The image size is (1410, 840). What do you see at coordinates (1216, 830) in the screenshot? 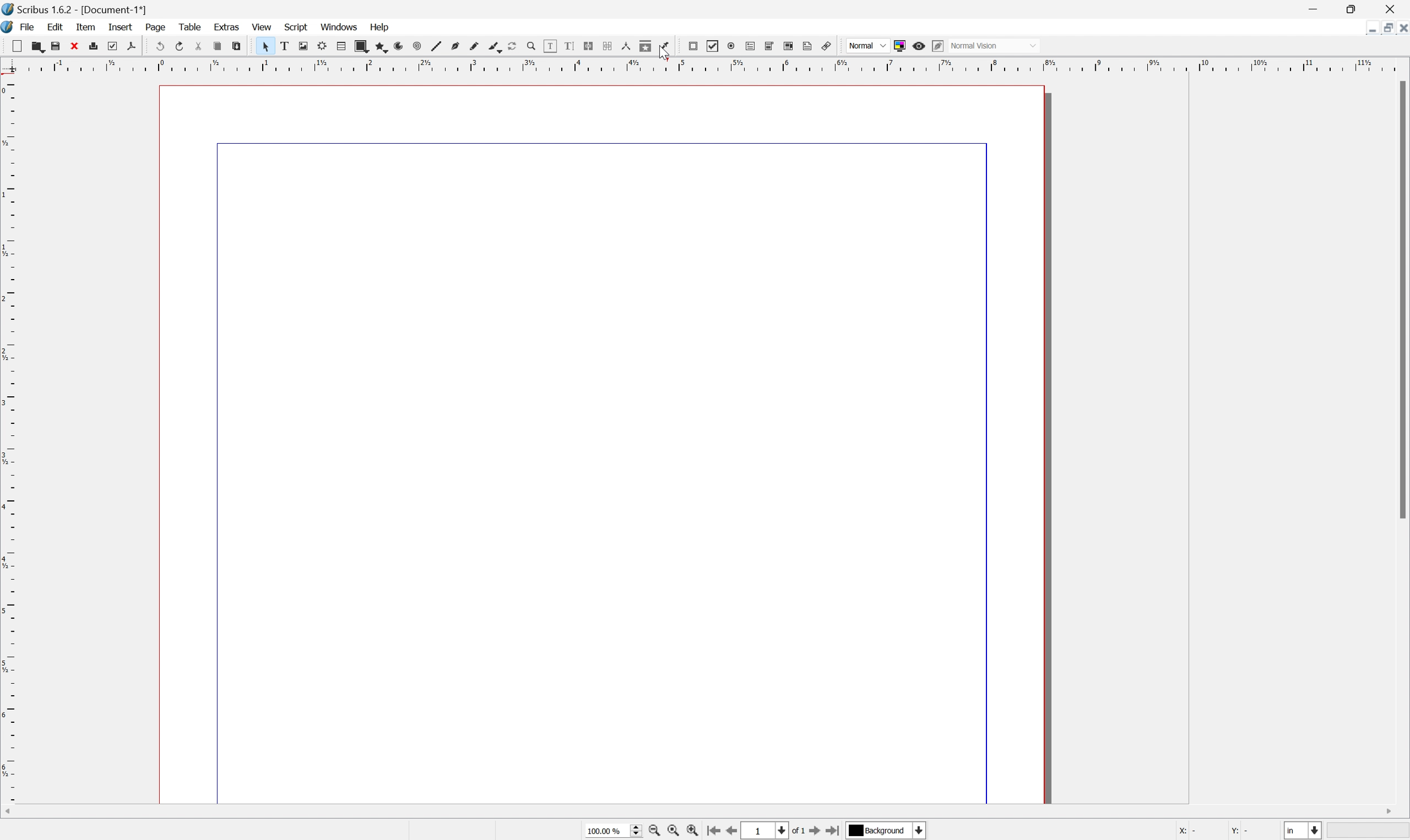
I see `coordinates` at bounding box center [1216, 830].